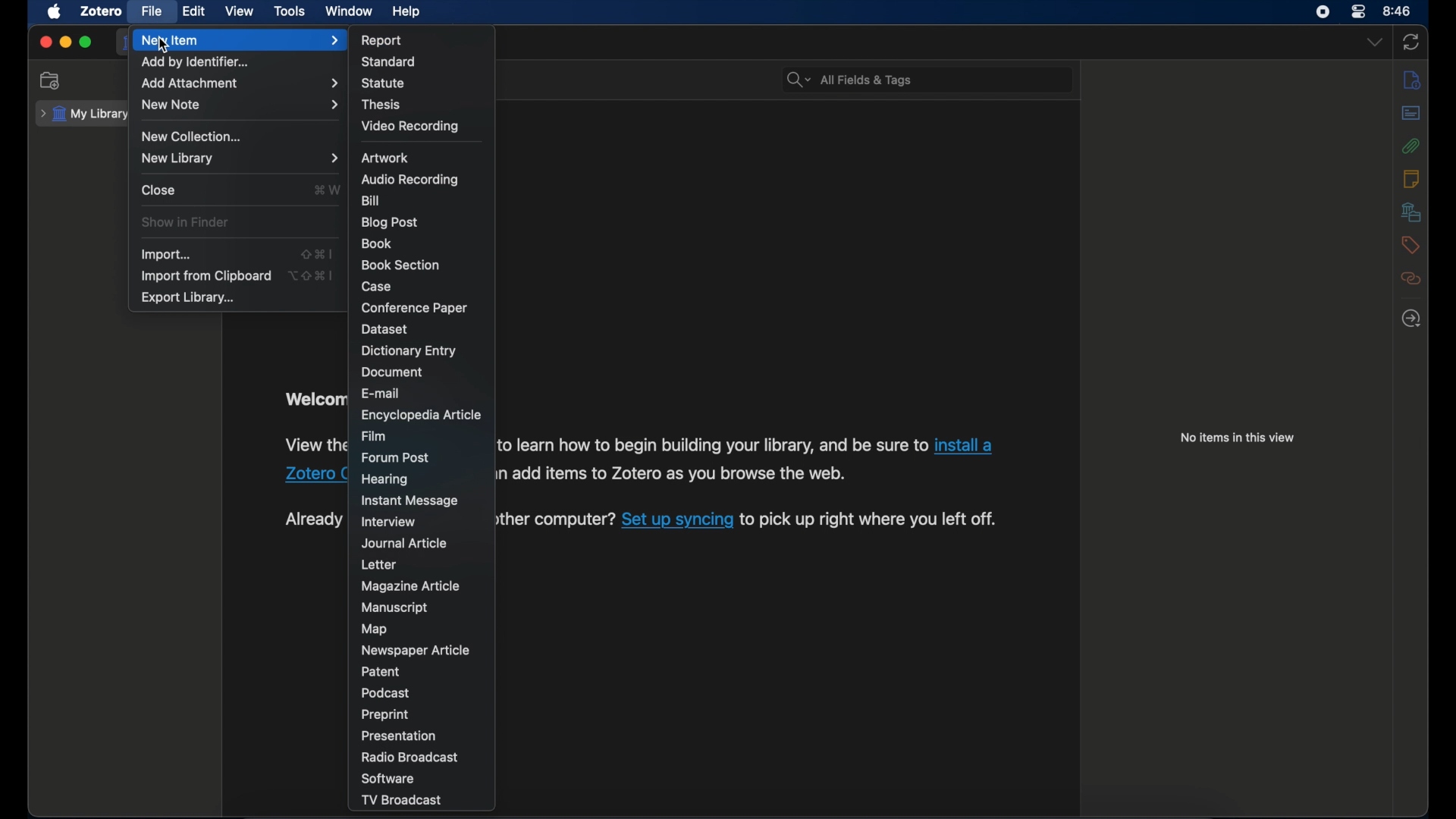 The width and height of the screenshot is (1456, 819). I want to click on Zotero connector link, so click(314, 474).